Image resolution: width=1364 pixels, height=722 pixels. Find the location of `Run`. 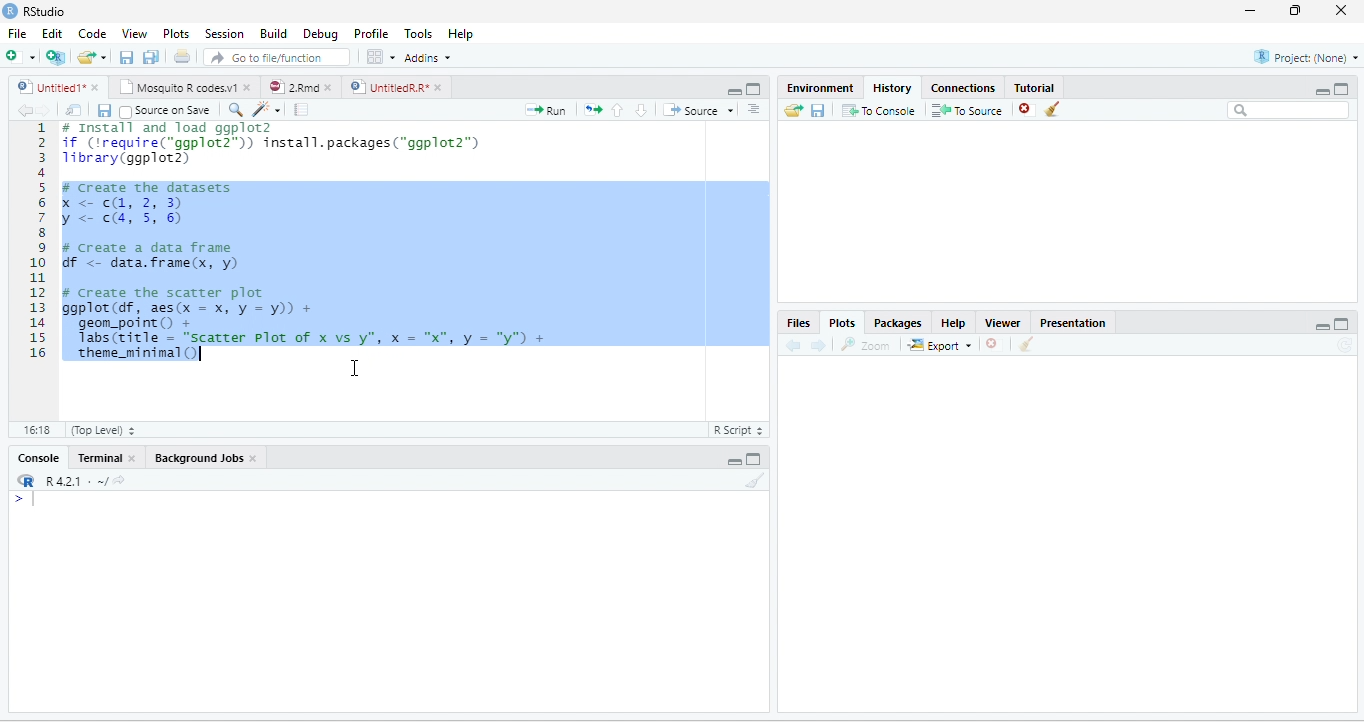

Run is located at coordinates (546, 110).